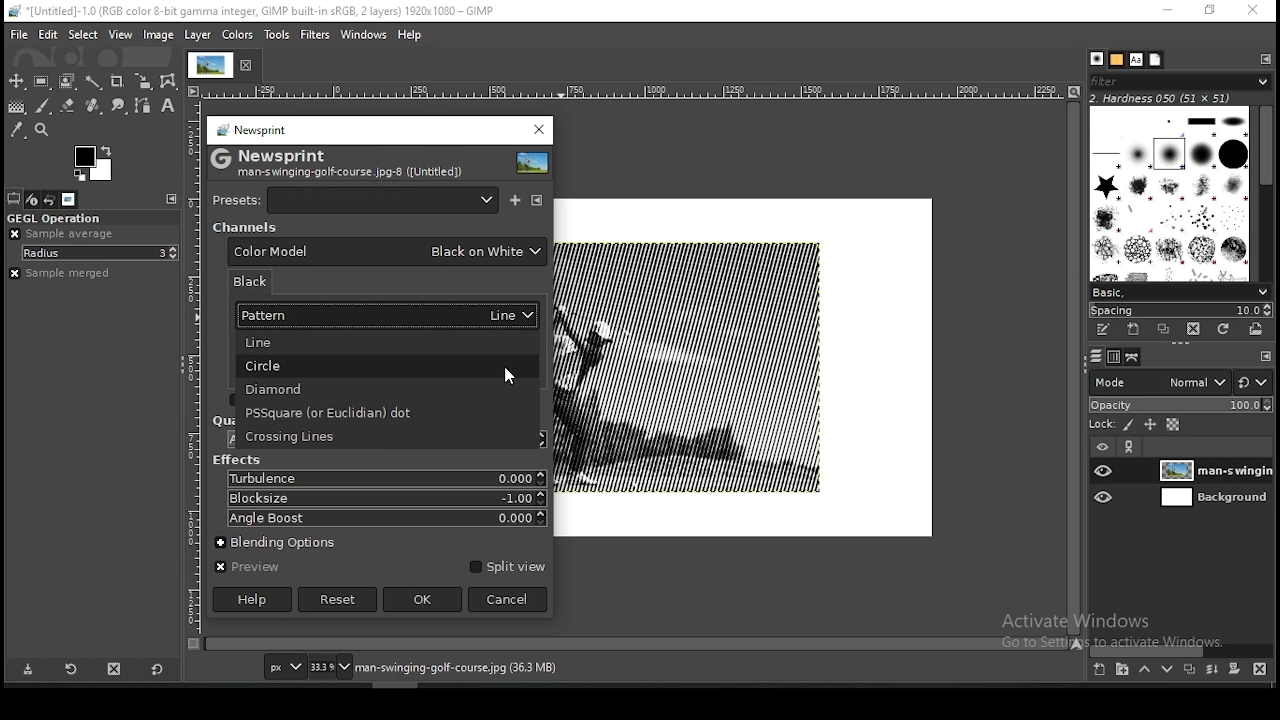 The width and height of the screenshot is (1280, 720). I want to click on tools, so click(275, 35).